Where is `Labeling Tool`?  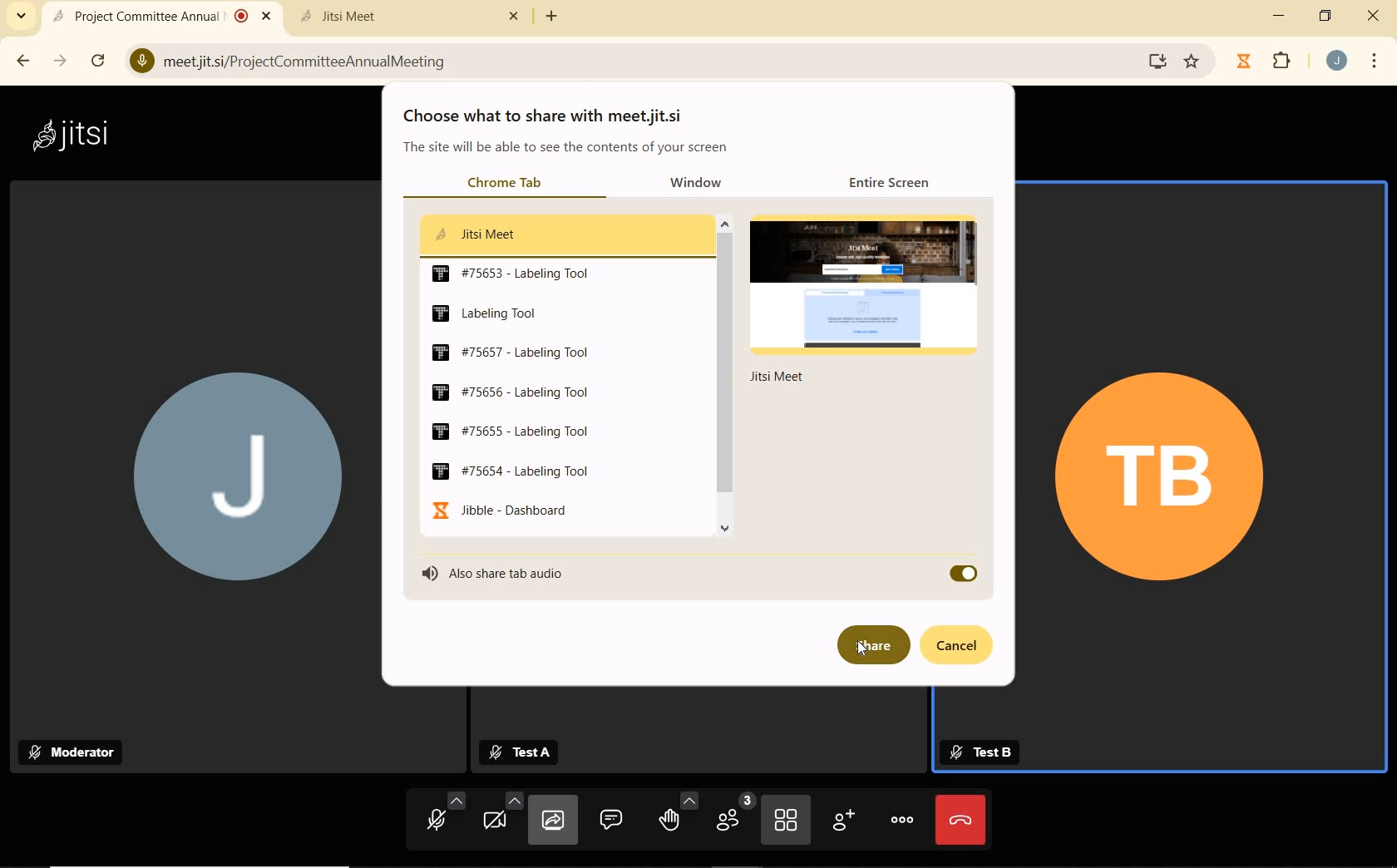 Labeling Tool is located at coordinates (485, 313).